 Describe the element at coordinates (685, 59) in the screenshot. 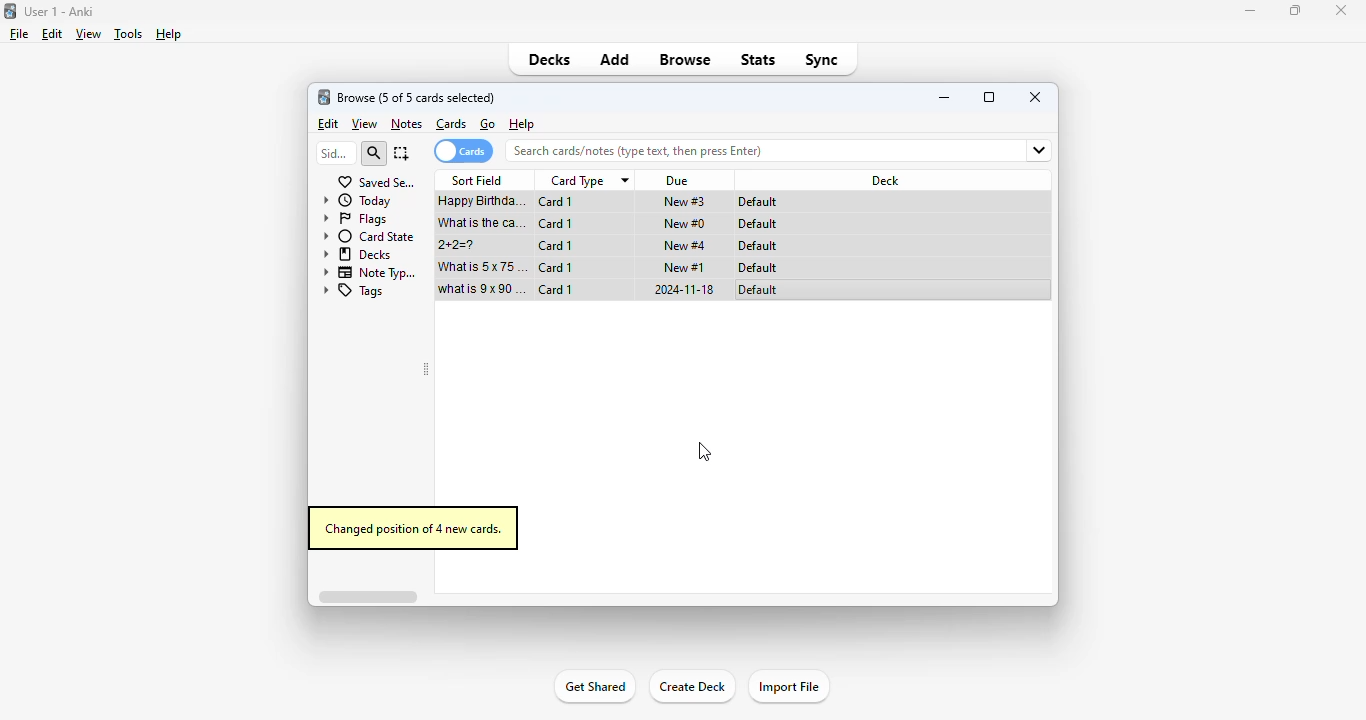

I see `browse` at that location.